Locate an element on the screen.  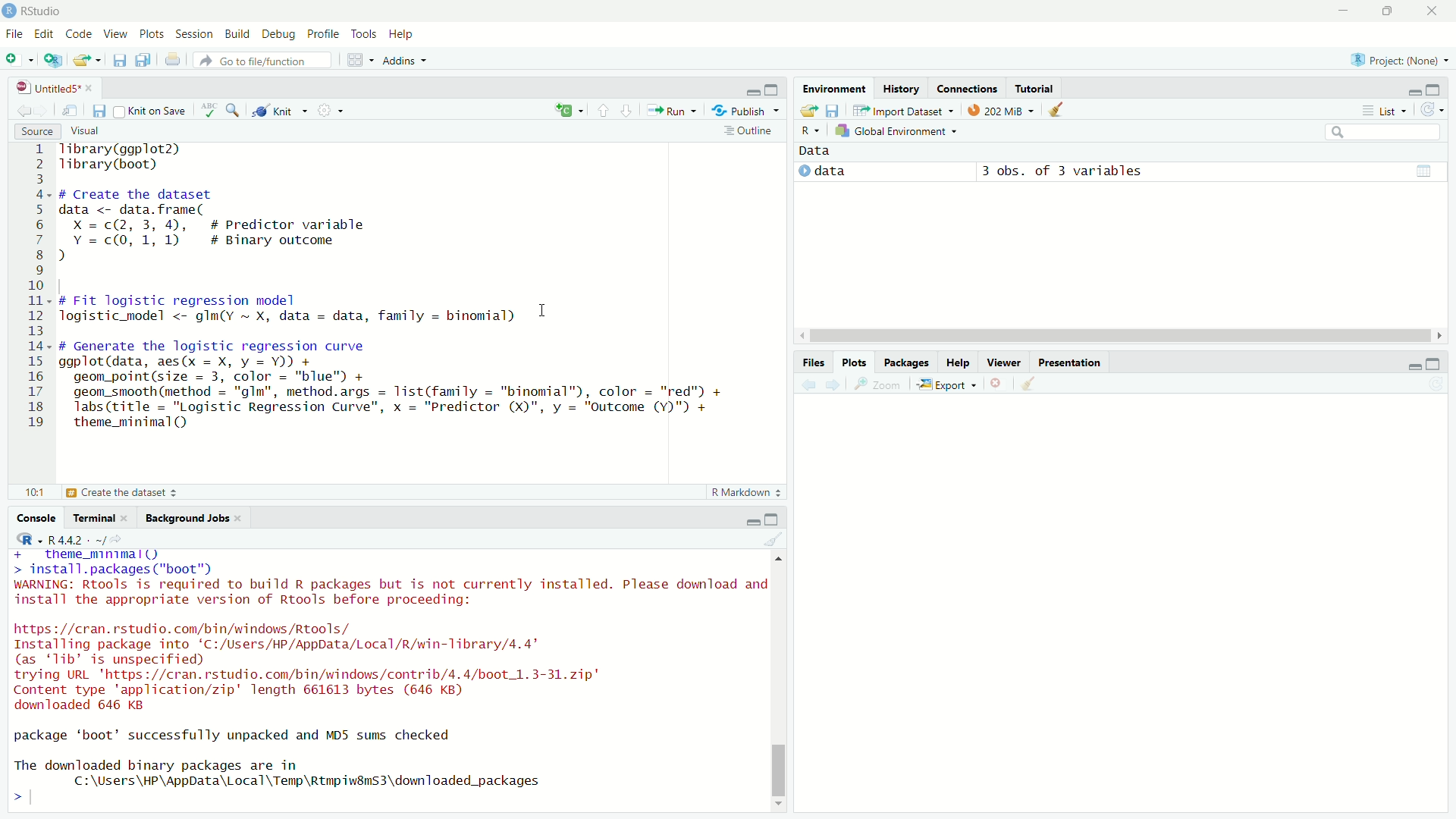
Create a project is located at coordinates (52, 60).